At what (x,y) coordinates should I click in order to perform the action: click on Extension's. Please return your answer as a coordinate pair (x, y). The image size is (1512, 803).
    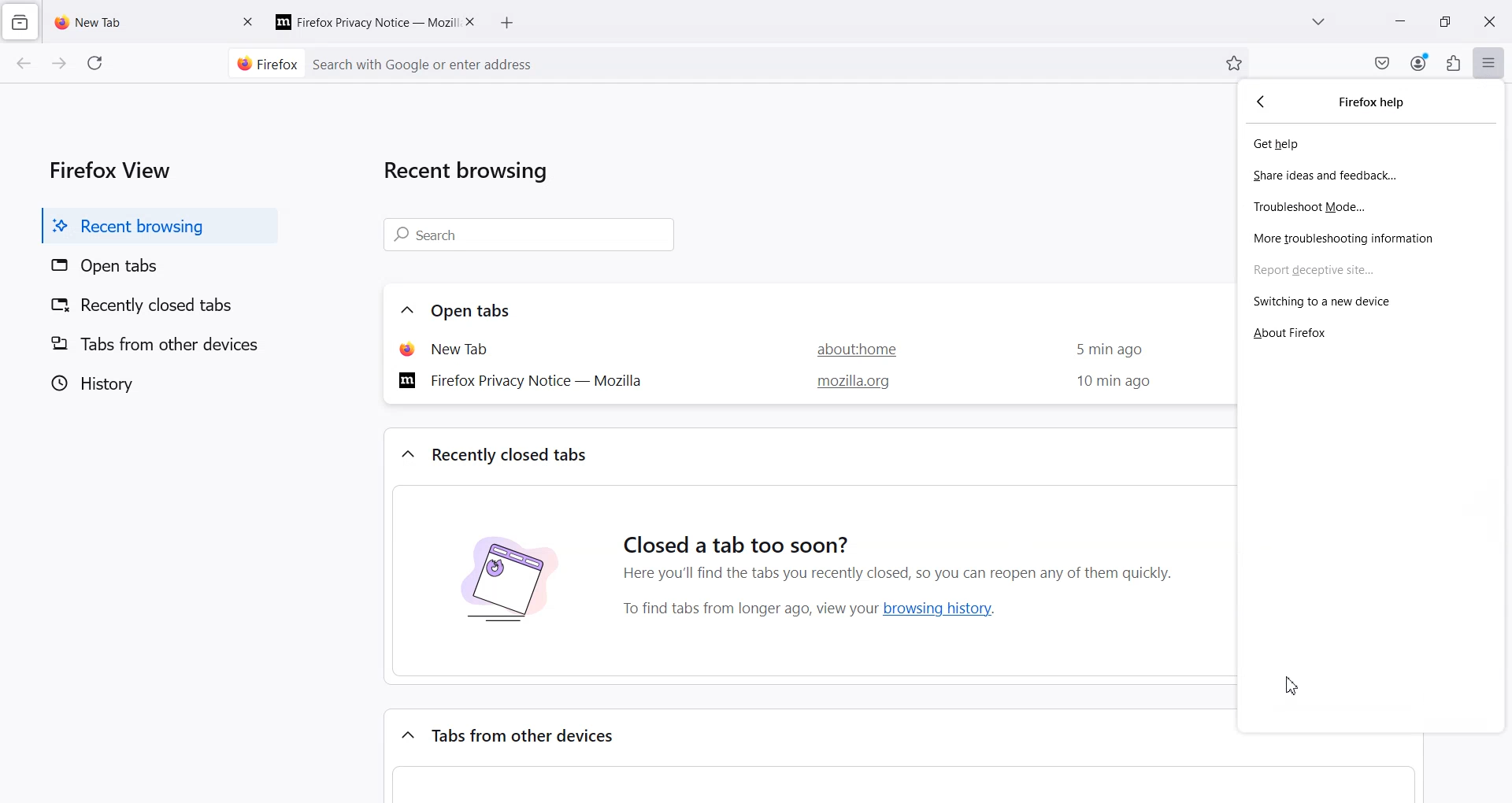
    Looking at the image, I should click on (1453, 62).